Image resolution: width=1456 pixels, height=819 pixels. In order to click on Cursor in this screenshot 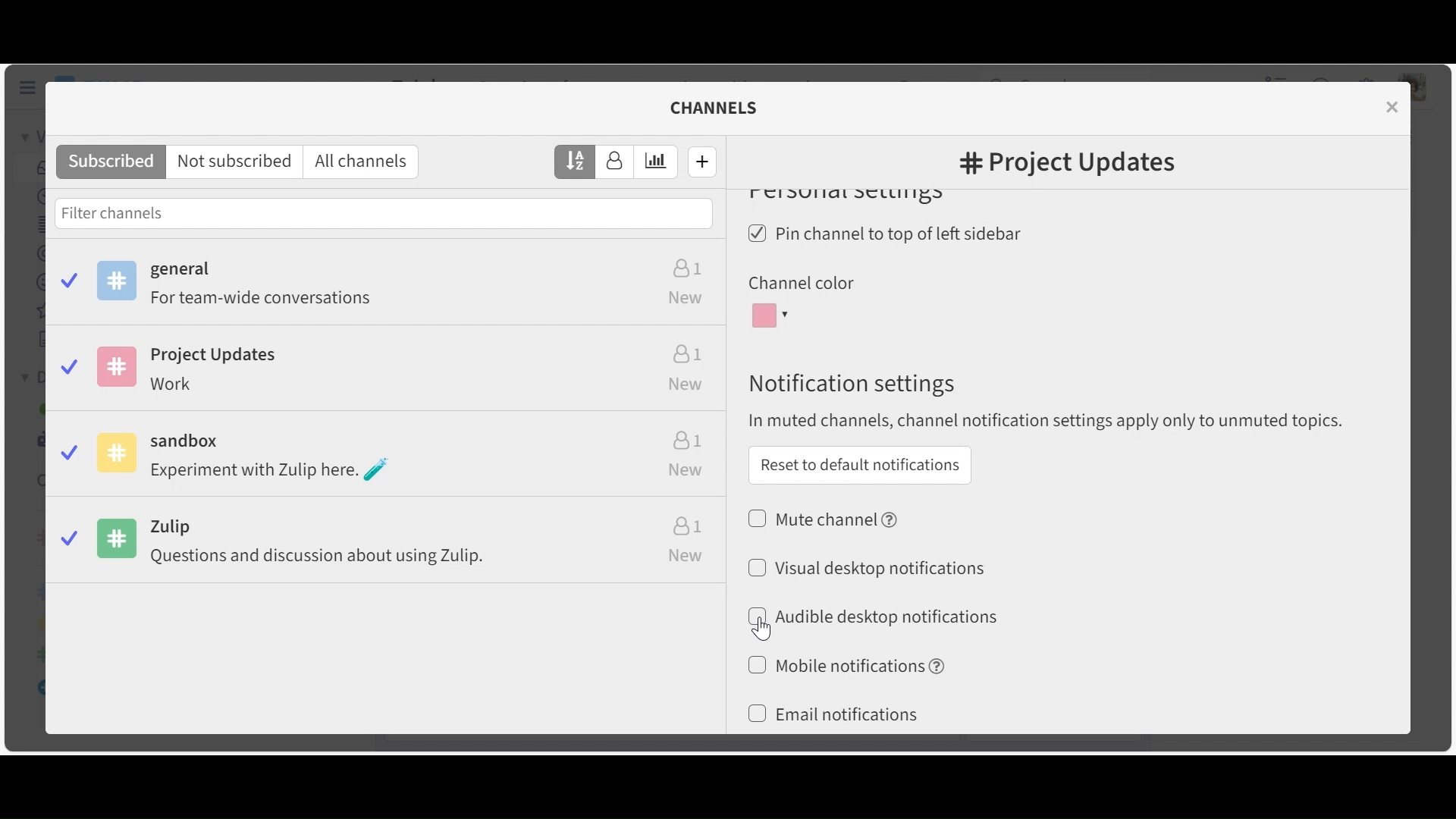, I will do `click(761, 628)`.